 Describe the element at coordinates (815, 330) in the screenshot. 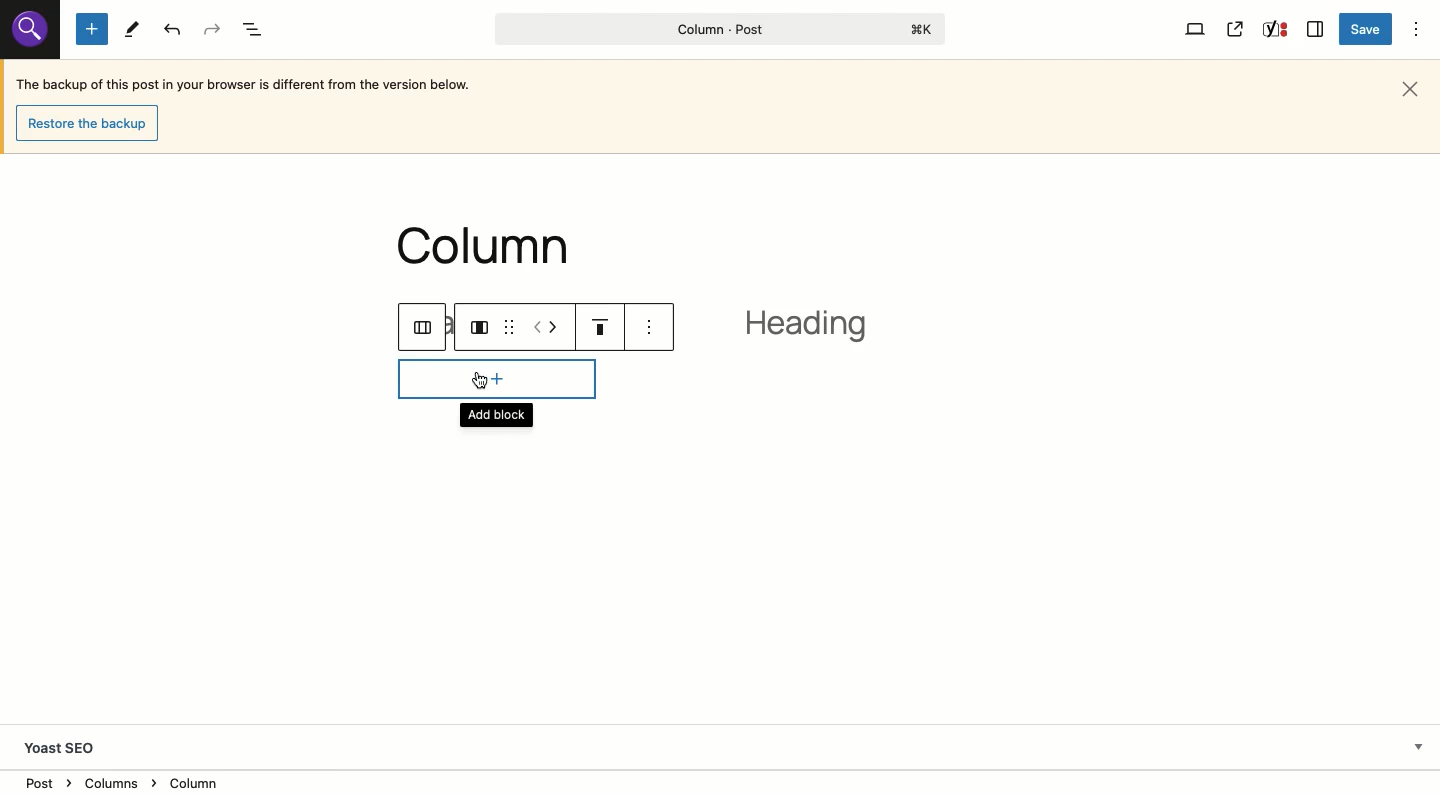

I see `heading` at that location.